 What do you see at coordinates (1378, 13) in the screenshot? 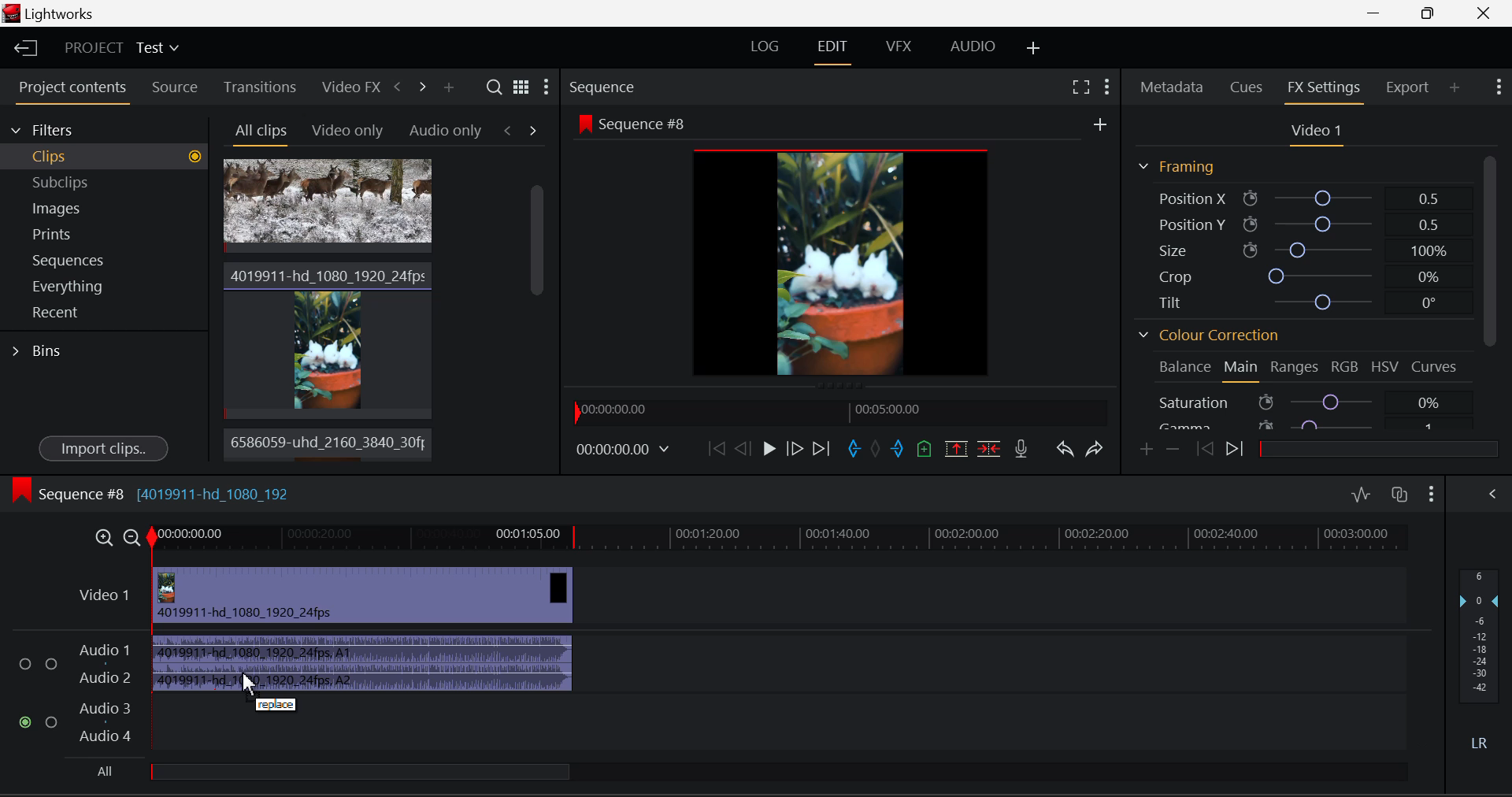
I see `Restore Down` at bounding box center [1378, 13].